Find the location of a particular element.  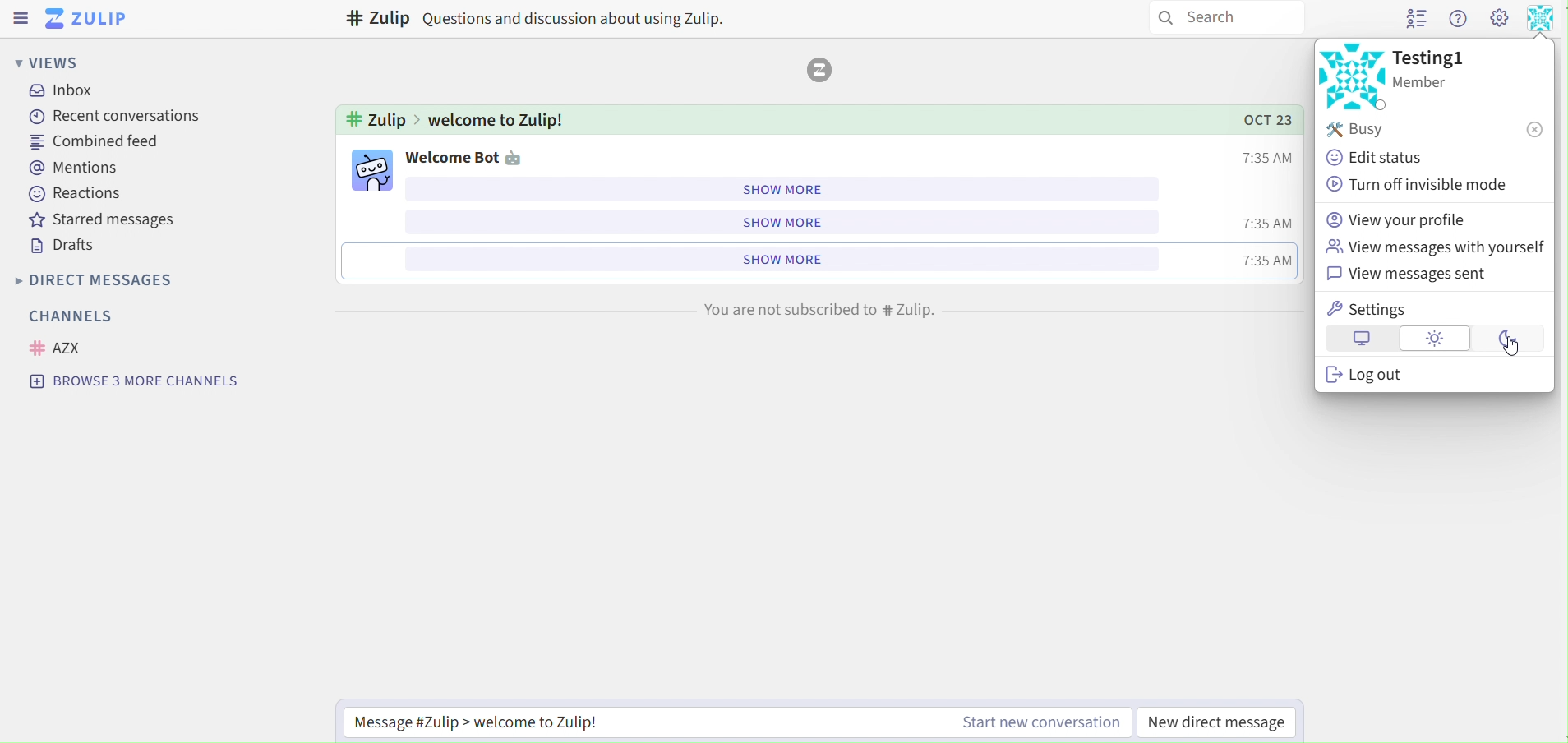

light theme is located at coordinates (1437, 339).